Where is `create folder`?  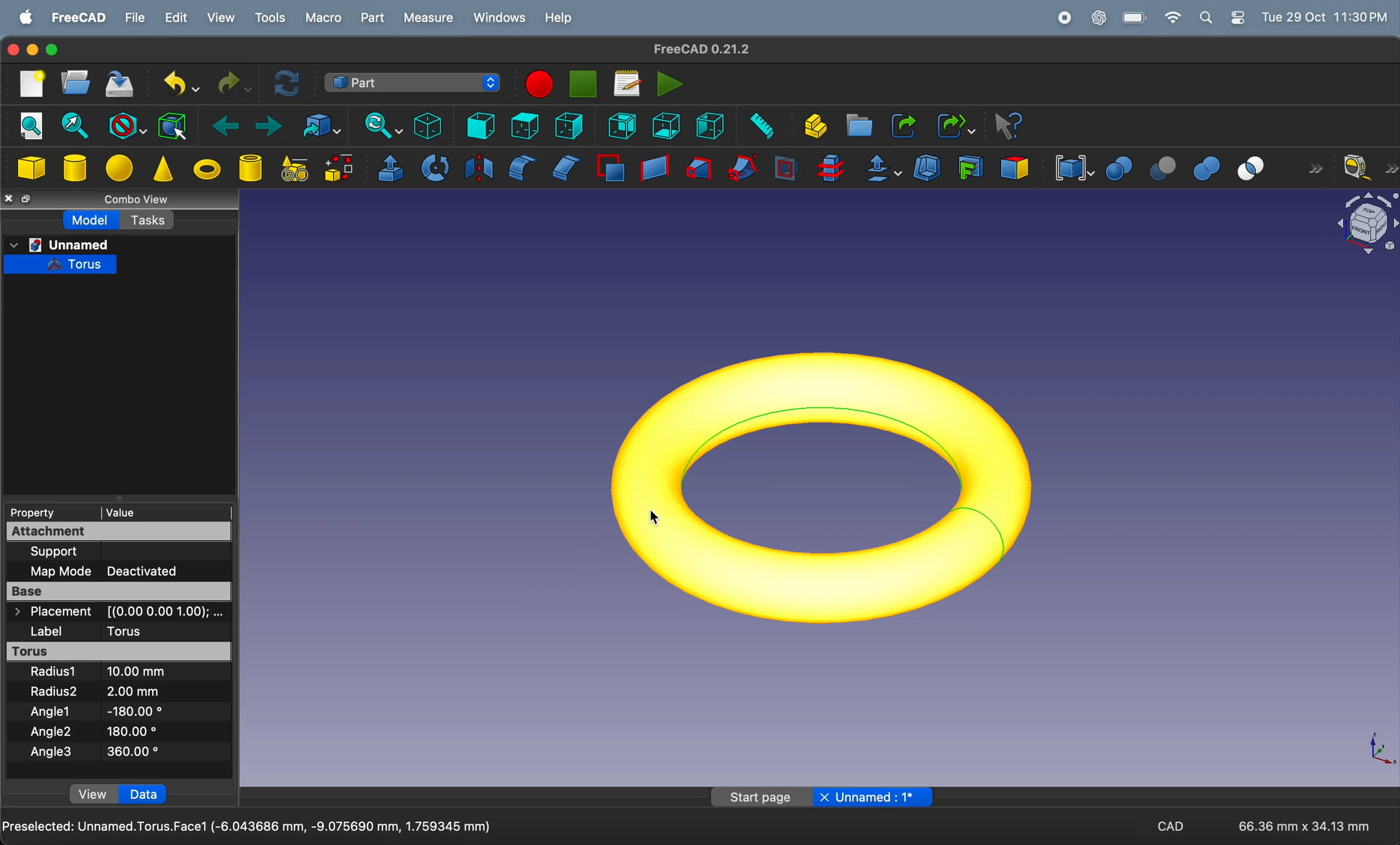
create folder is located at coordinates (859, 126).